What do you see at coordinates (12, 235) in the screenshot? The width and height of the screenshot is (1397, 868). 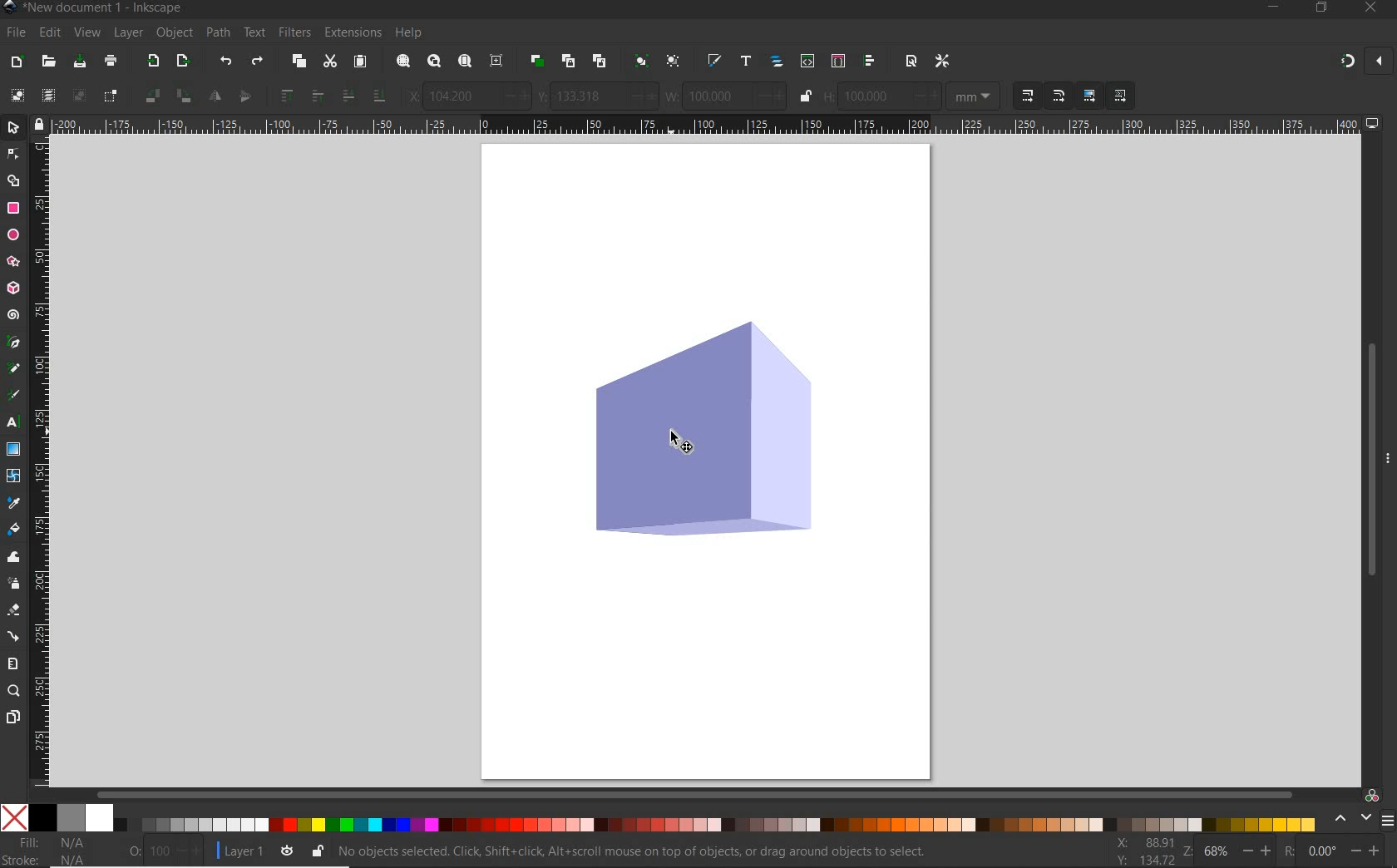 I see `ELLIPSE` at bounding box center [12, 235].